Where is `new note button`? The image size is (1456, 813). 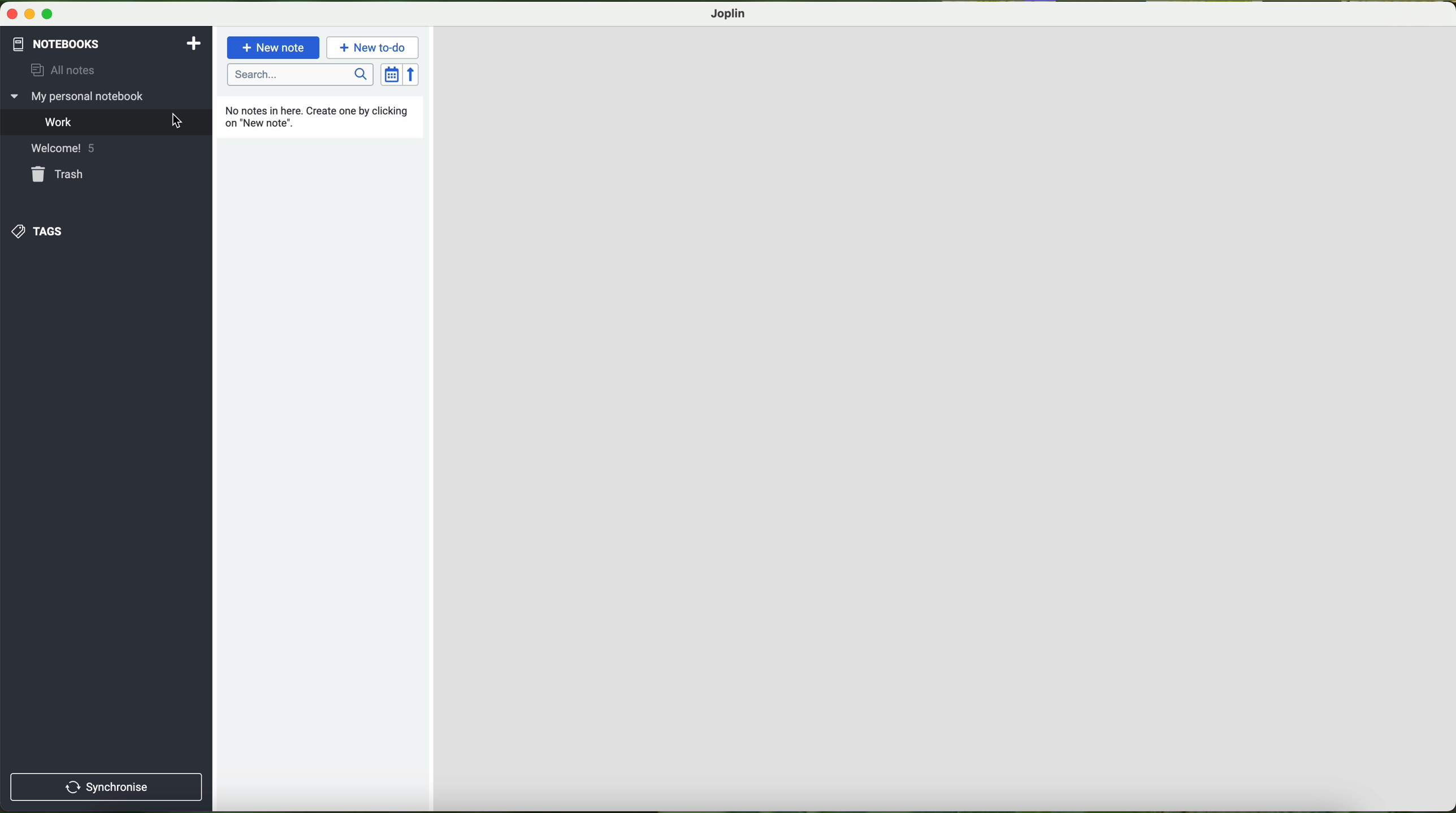
new note button is located at coordinates (274, 47).